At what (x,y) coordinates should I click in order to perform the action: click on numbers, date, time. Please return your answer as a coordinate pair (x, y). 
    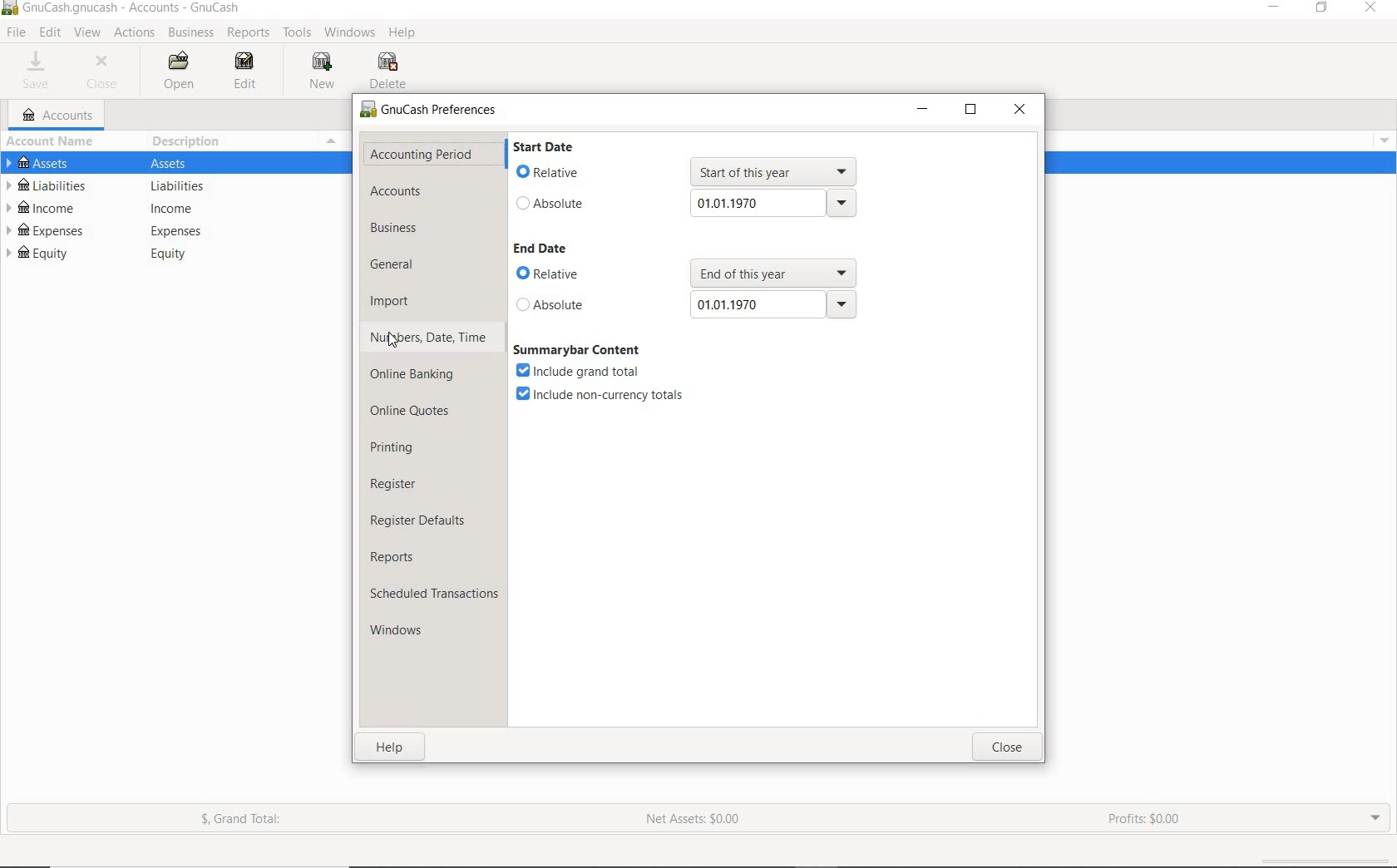
    Looking at the image, I should click on (429, 340).